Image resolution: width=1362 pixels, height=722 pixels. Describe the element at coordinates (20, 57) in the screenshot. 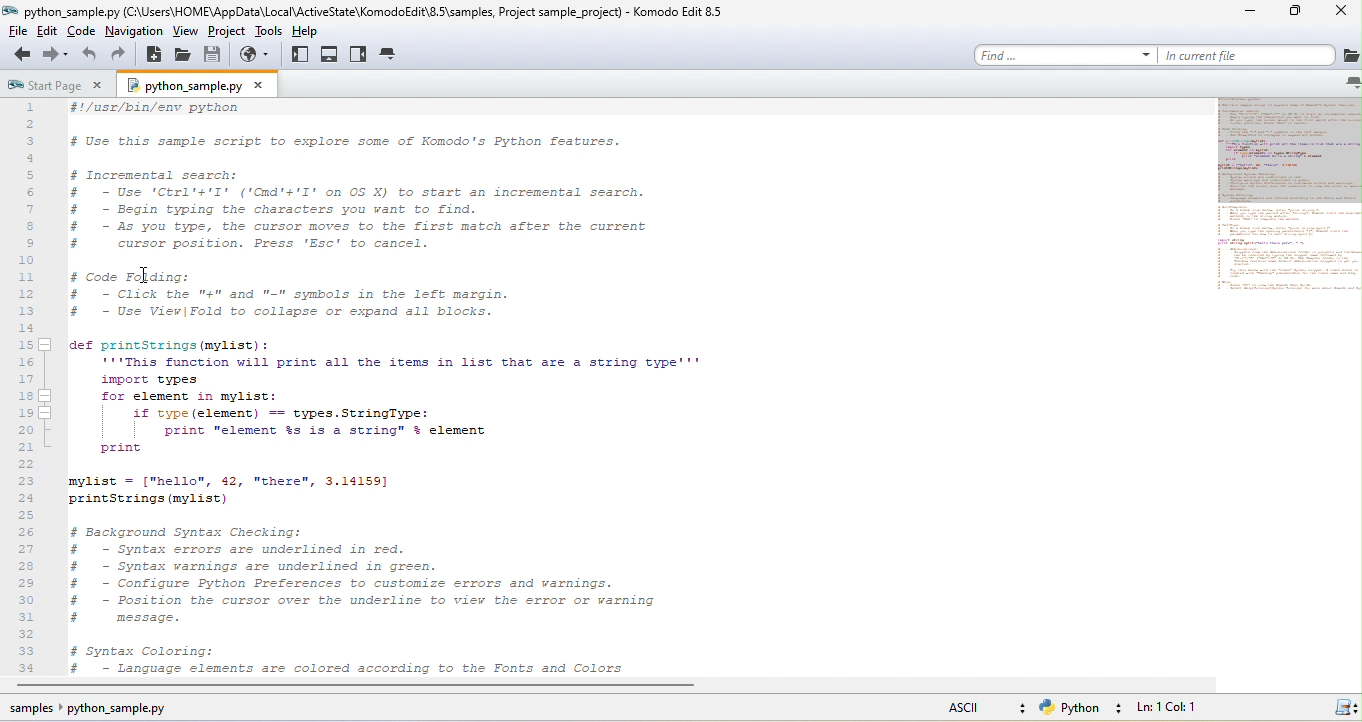

I see `back` at that location.